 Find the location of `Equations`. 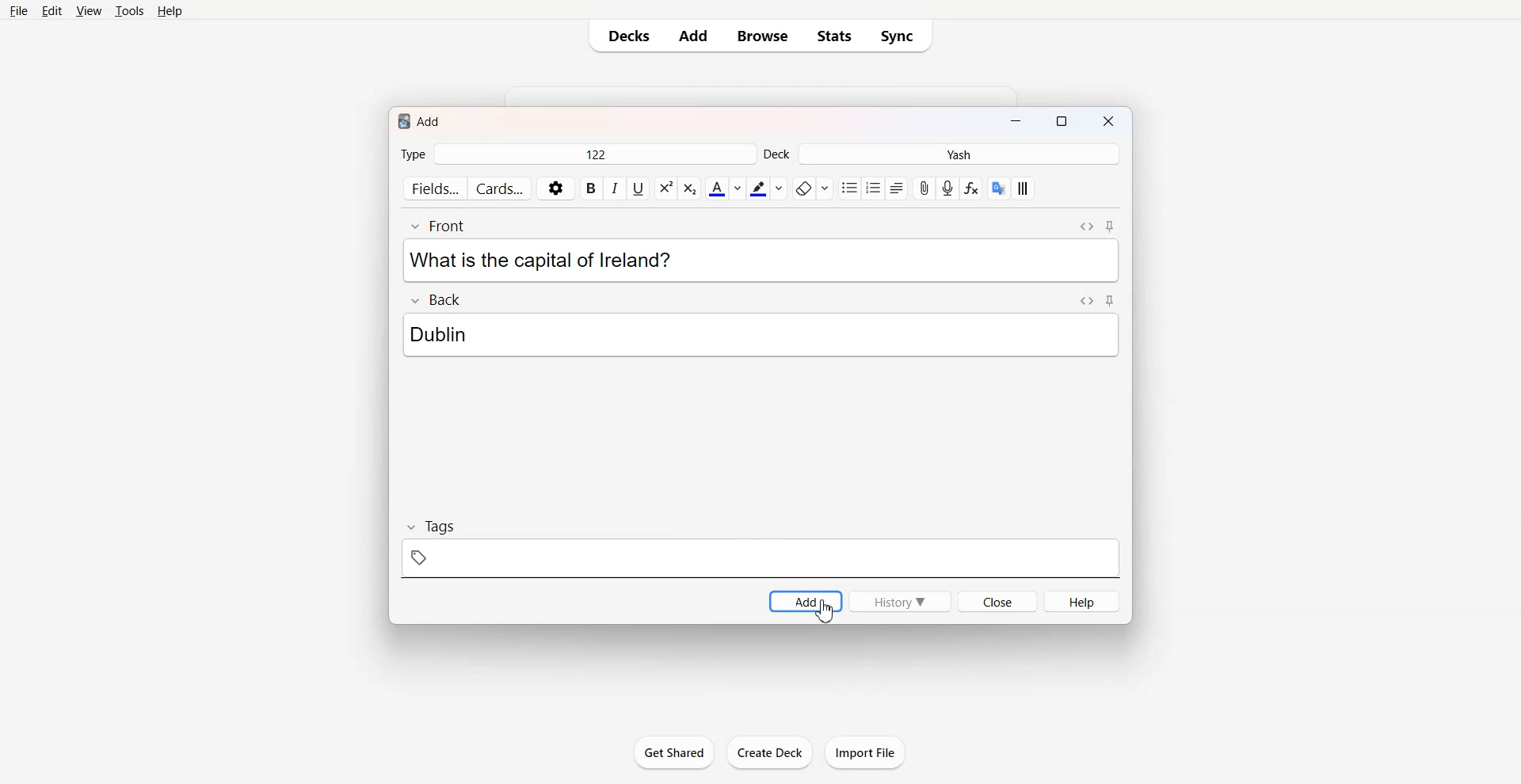

Equations is located at coordinates (971, 188).